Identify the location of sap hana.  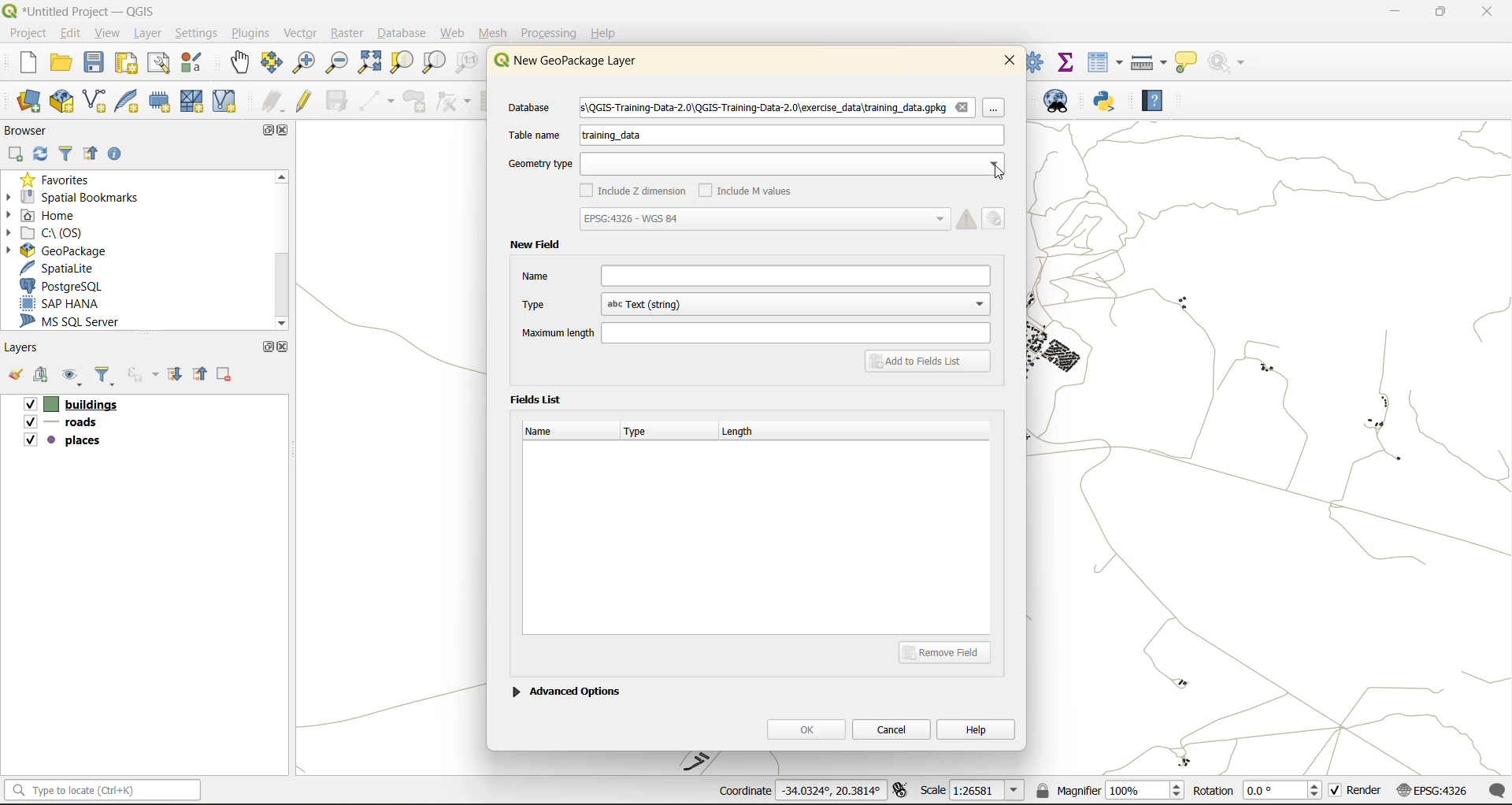
(74, 304).